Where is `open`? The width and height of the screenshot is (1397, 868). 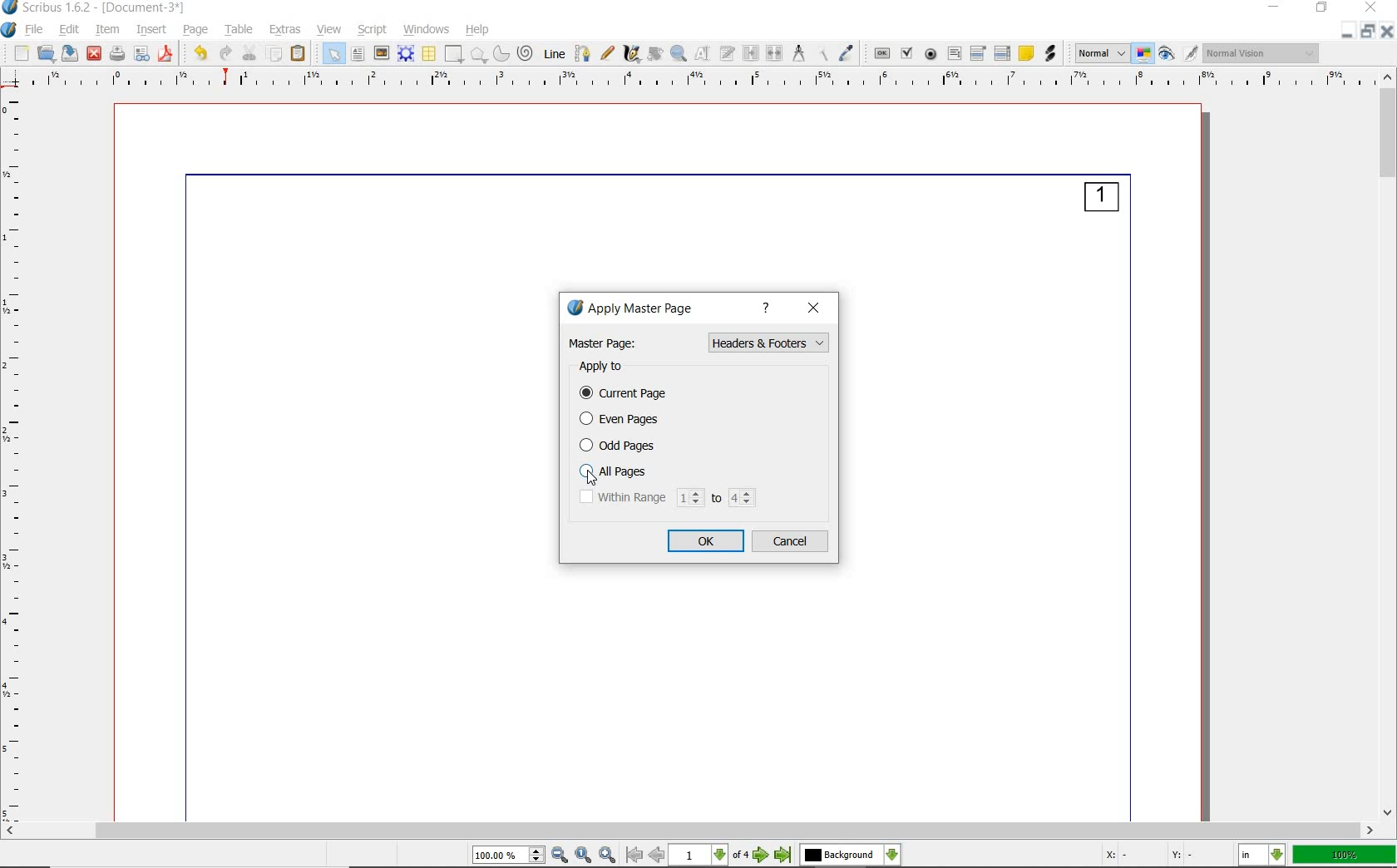 open is located at coordinates (46, 52).